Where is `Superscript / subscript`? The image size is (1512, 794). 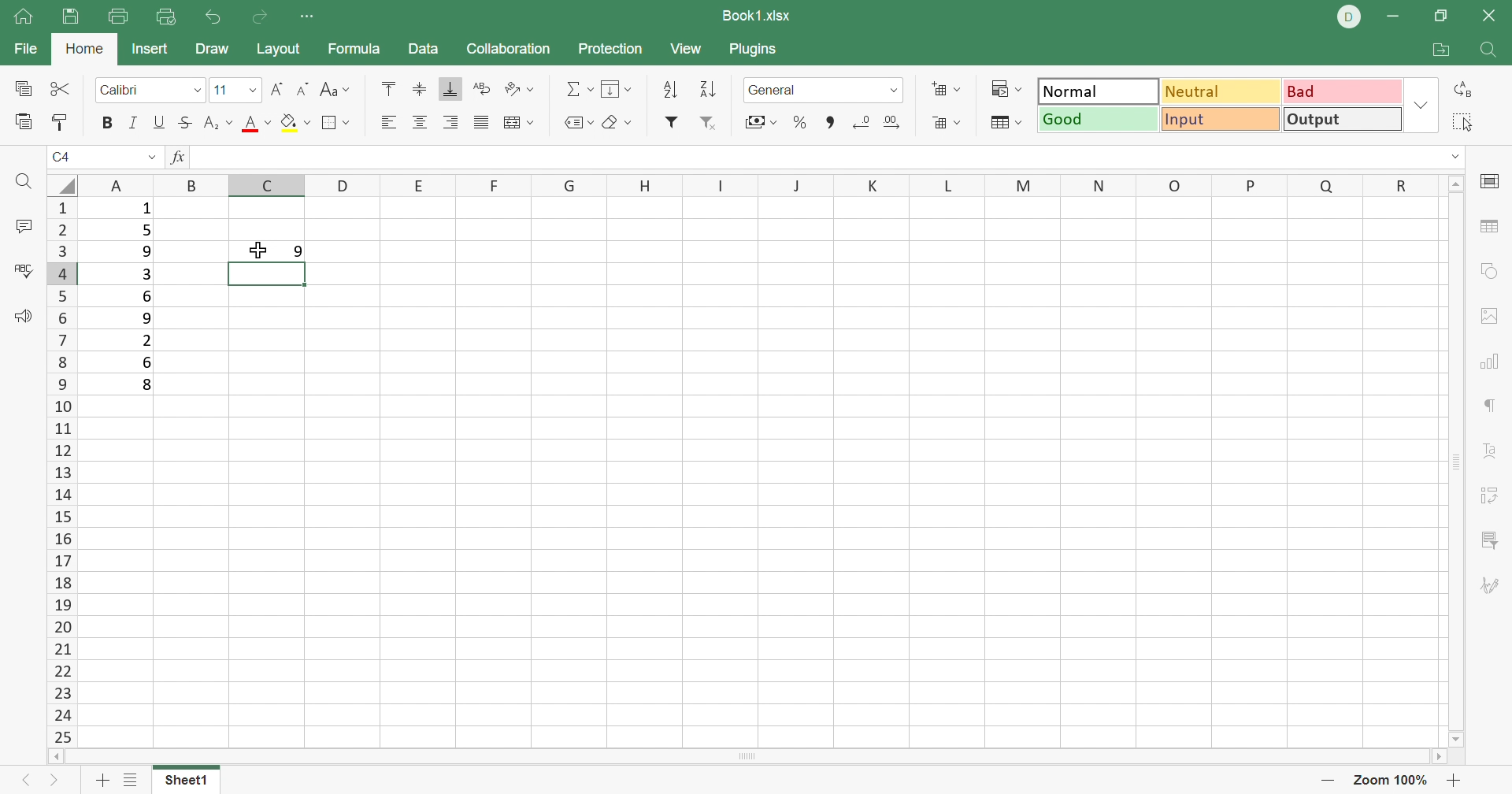
Superscript / subscript is located at coordinates (215, 124).